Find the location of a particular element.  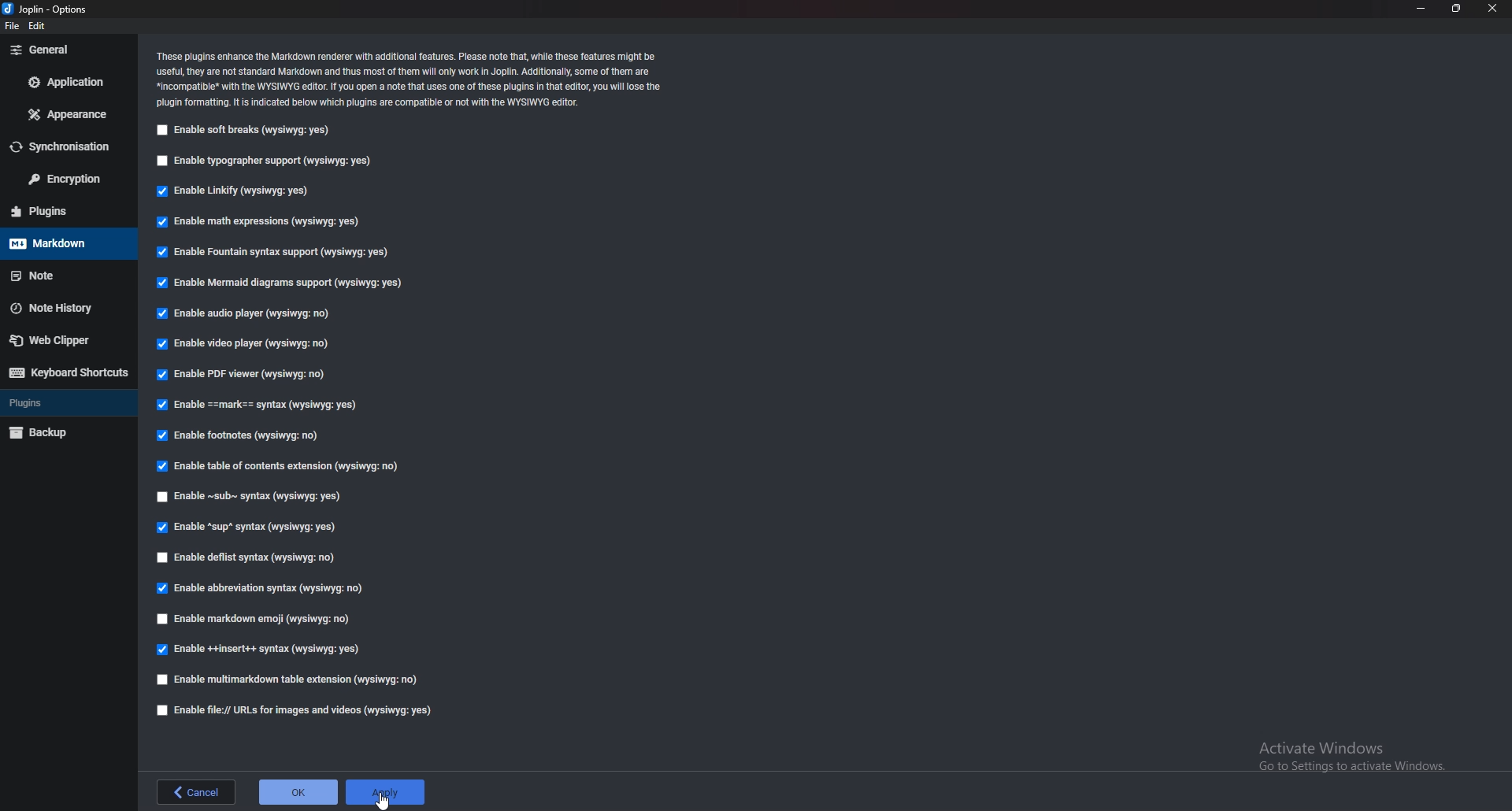

Info is located at coordinates (411, 79).